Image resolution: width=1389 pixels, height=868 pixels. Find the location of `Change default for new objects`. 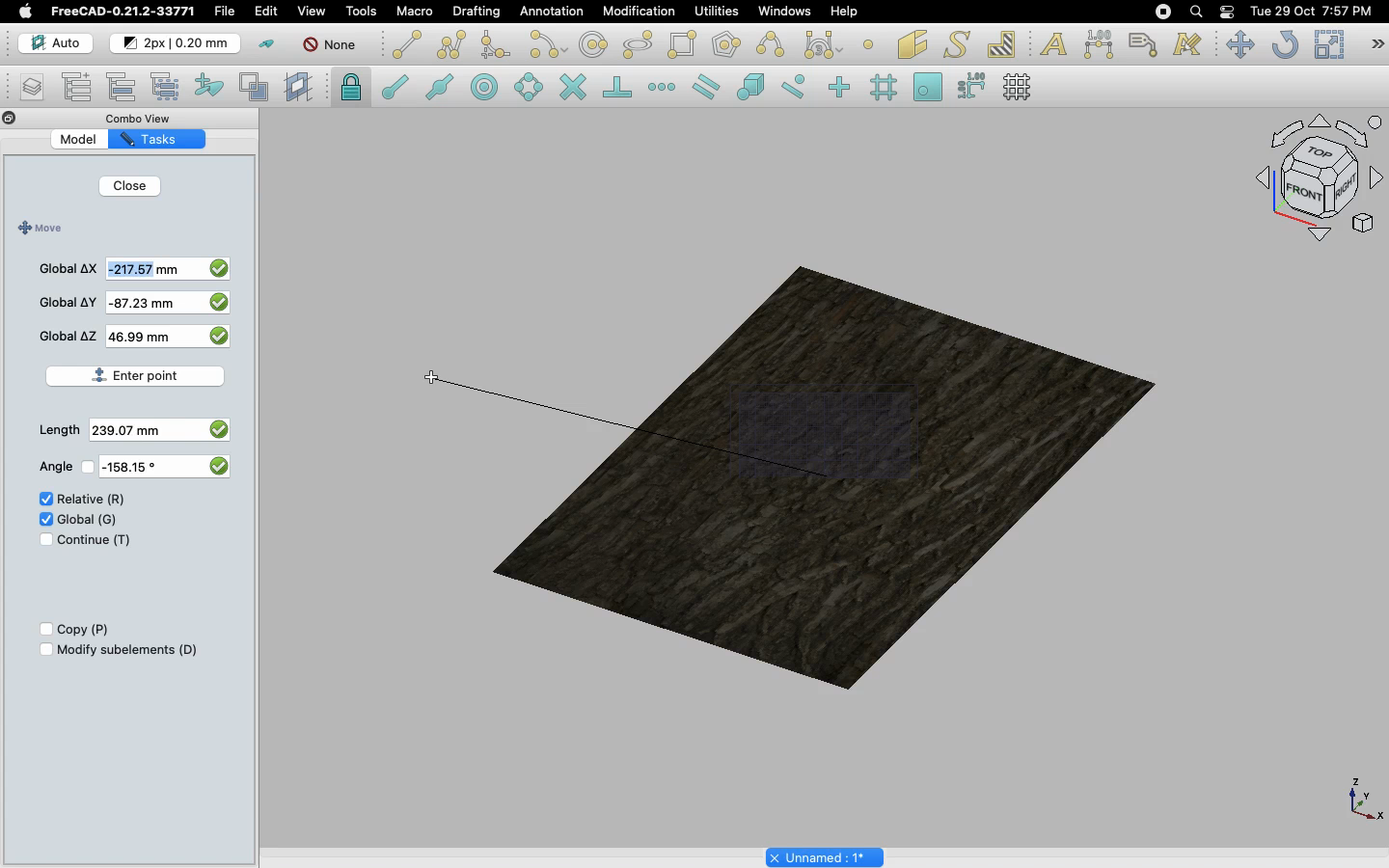

Change default for new objects is located at coordinates (177, 44).